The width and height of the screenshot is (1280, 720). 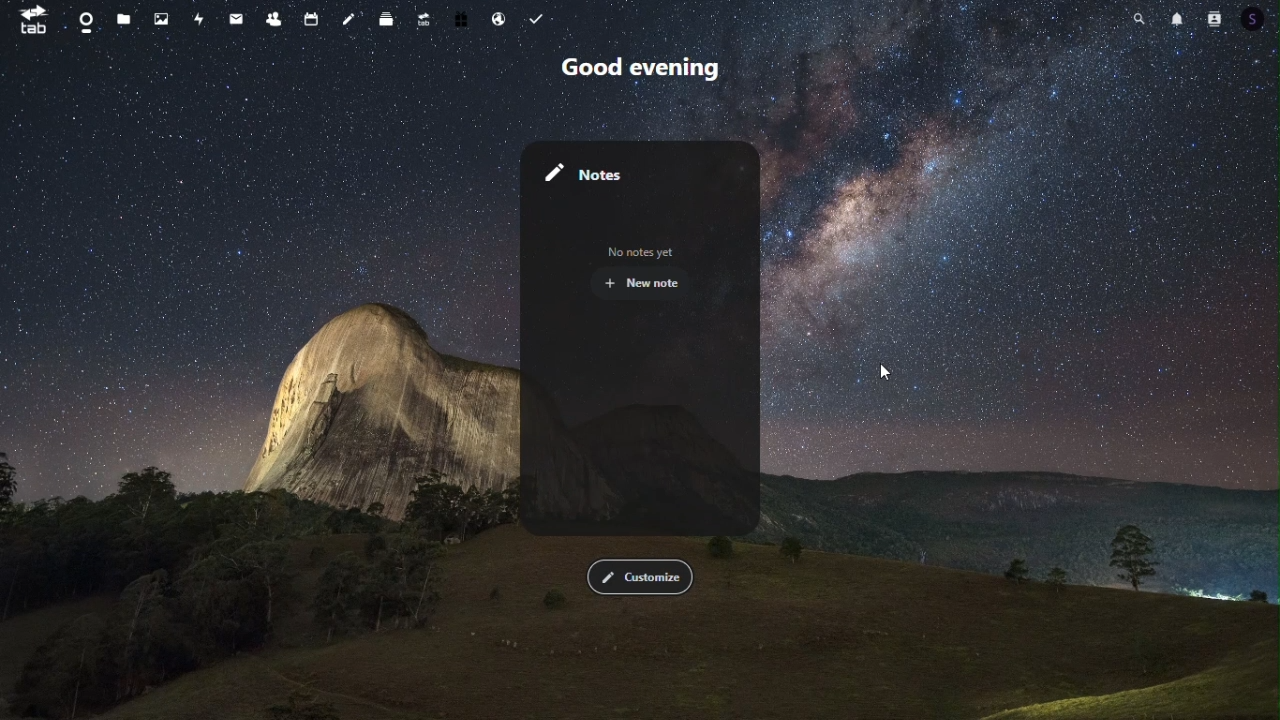 What do you see at coordinates (310, 19) in the screenshot?
I see `Calendar` at bounding box center [310, 19].